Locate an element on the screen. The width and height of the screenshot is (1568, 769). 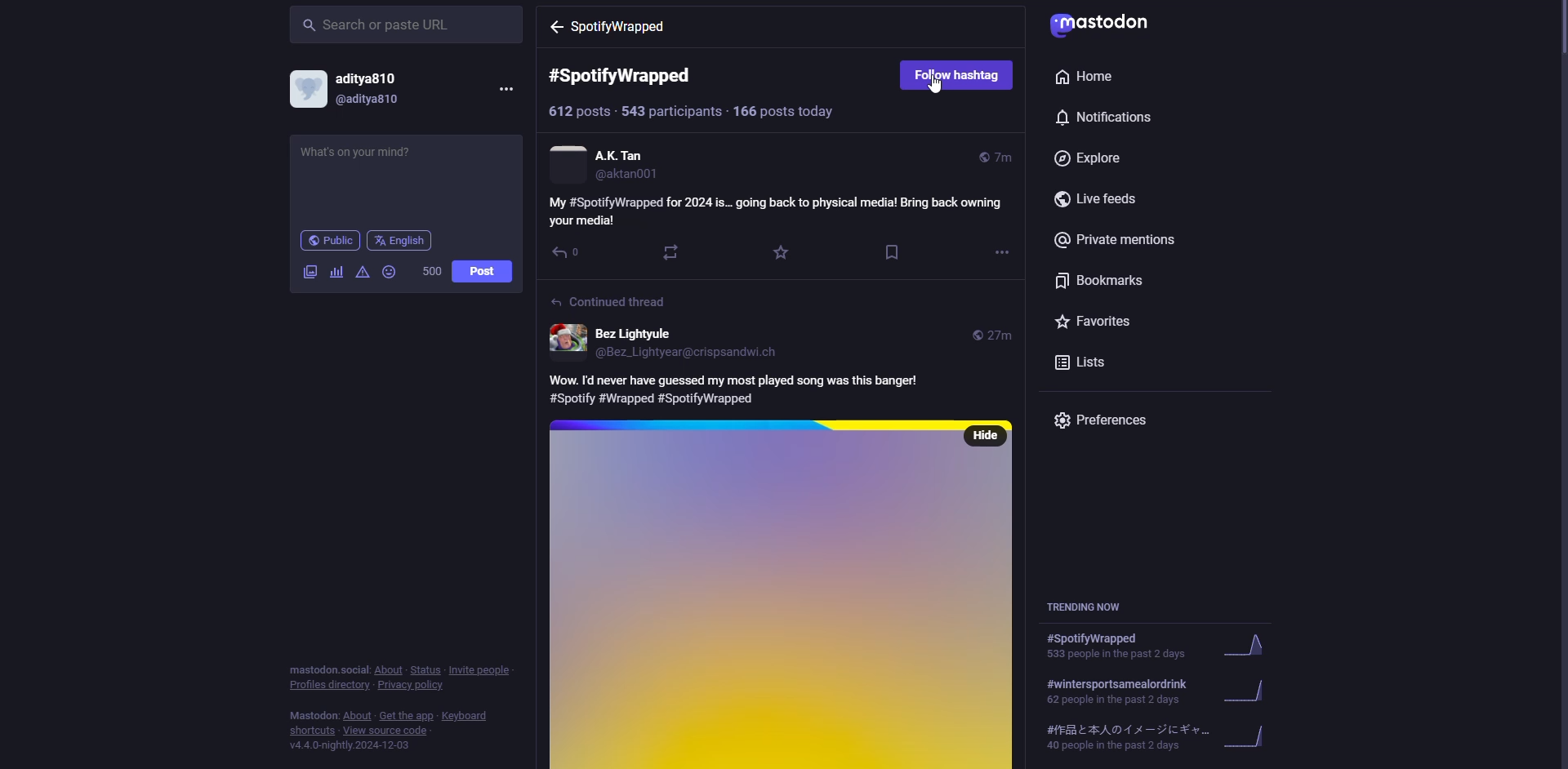
post is located at coordinates (781, 210).